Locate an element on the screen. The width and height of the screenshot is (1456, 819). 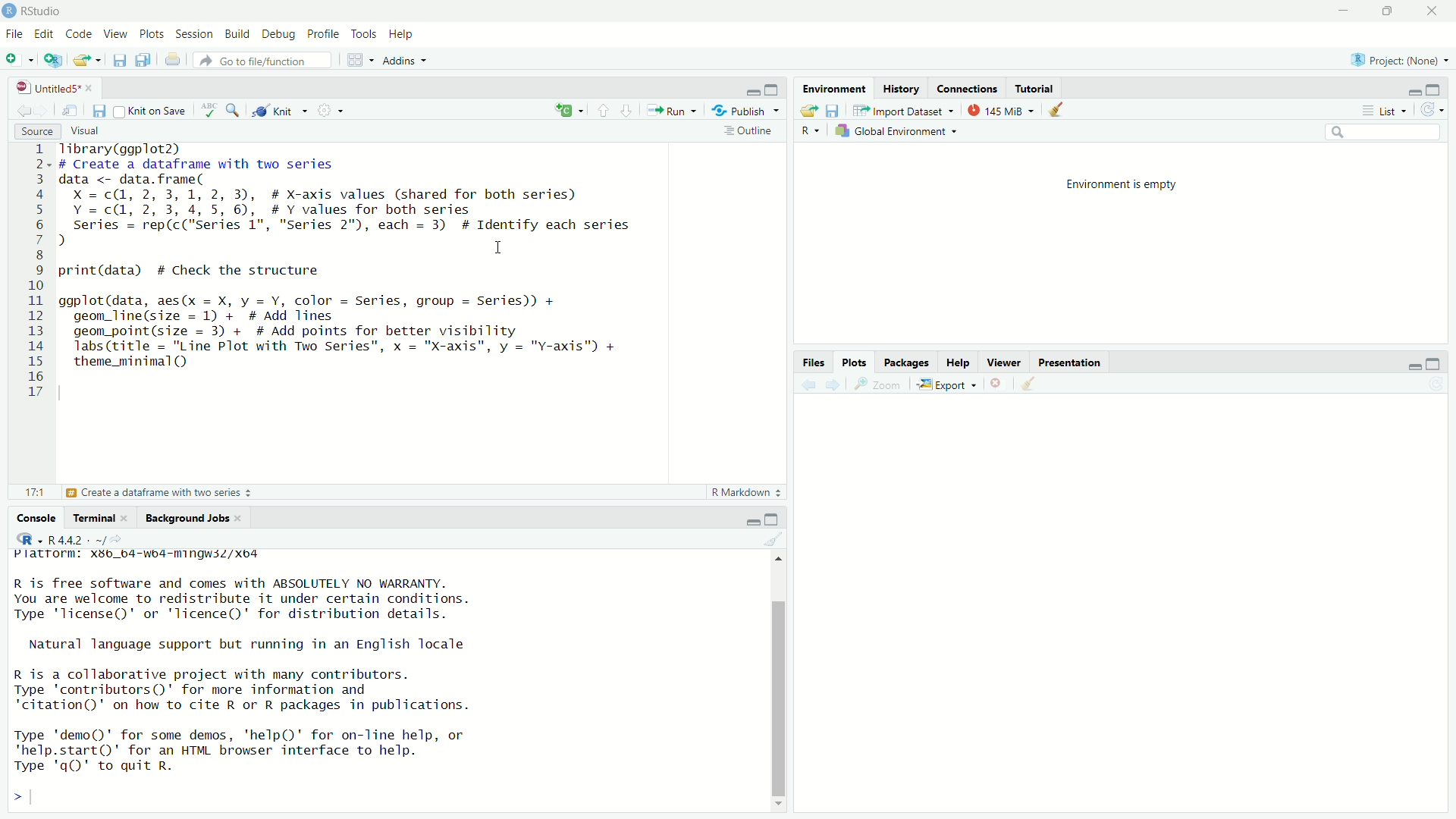
 145 MB used by R studio is located at coordinates (999, 110).